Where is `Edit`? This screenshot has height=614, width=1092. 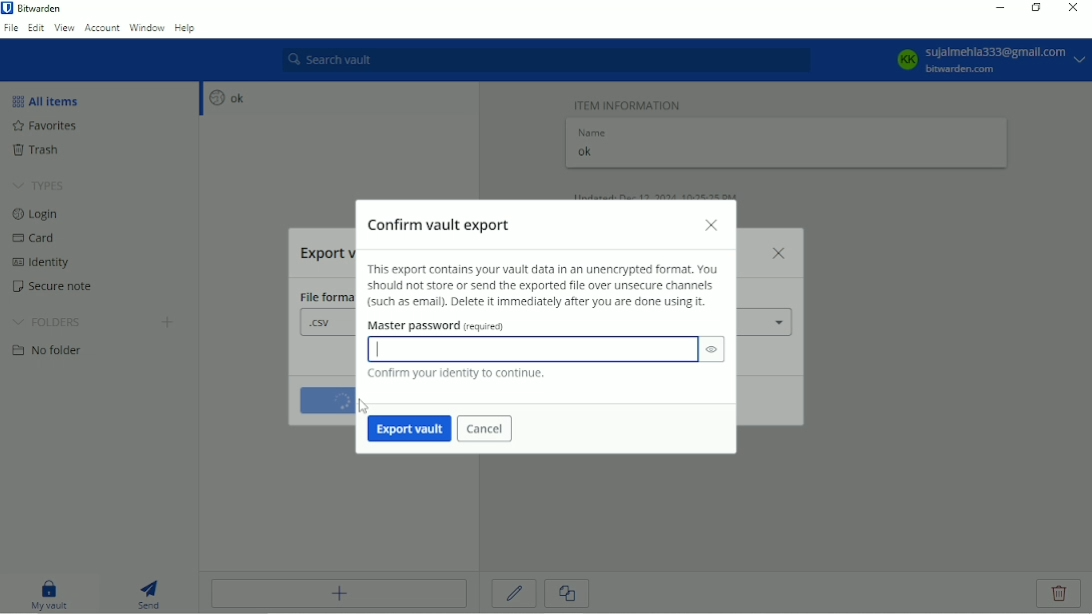
Edit is located at coordinates (515, 593).